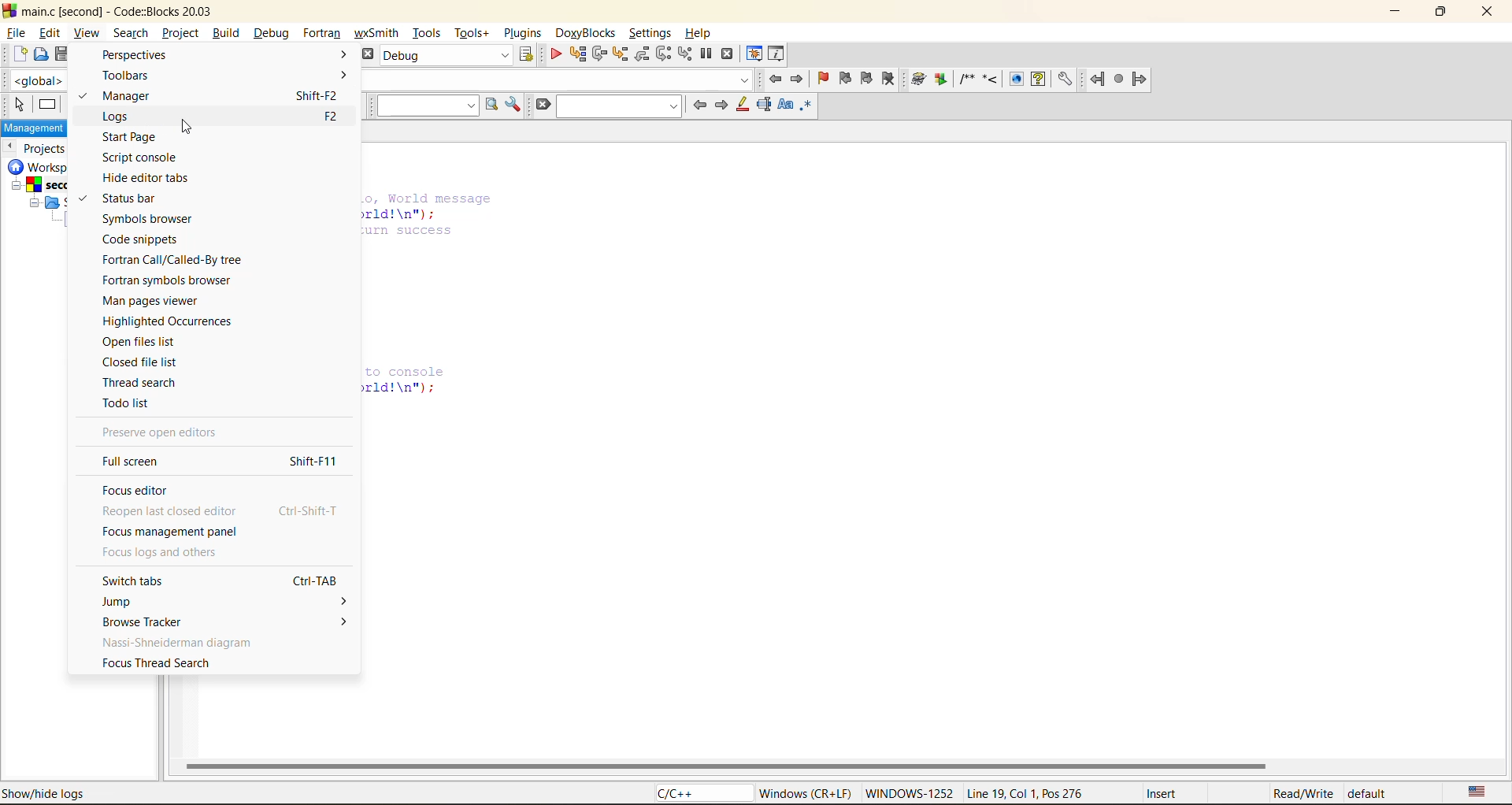  Describe the element at coordinates (47, 147) in the screenshot. I see `projects` at that location.